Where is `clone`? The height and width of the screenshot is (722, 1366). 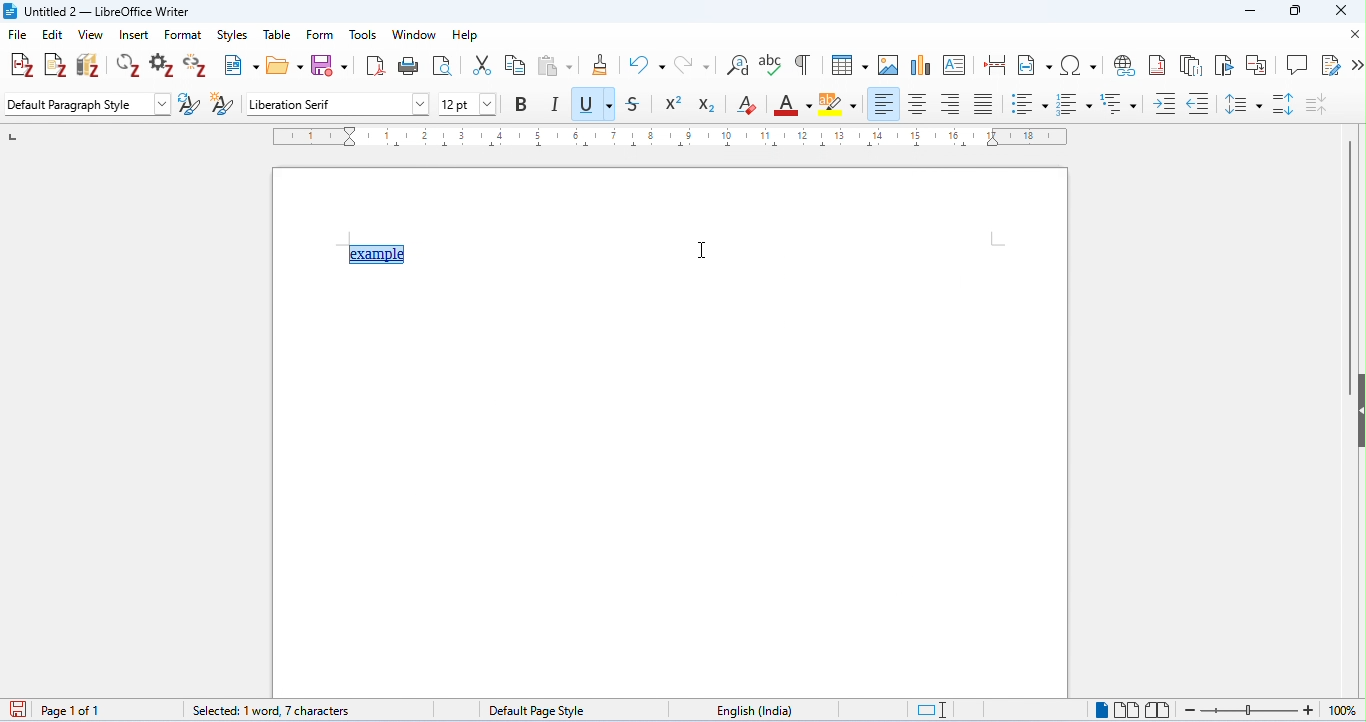 clone is located at coordinates (602, 65).